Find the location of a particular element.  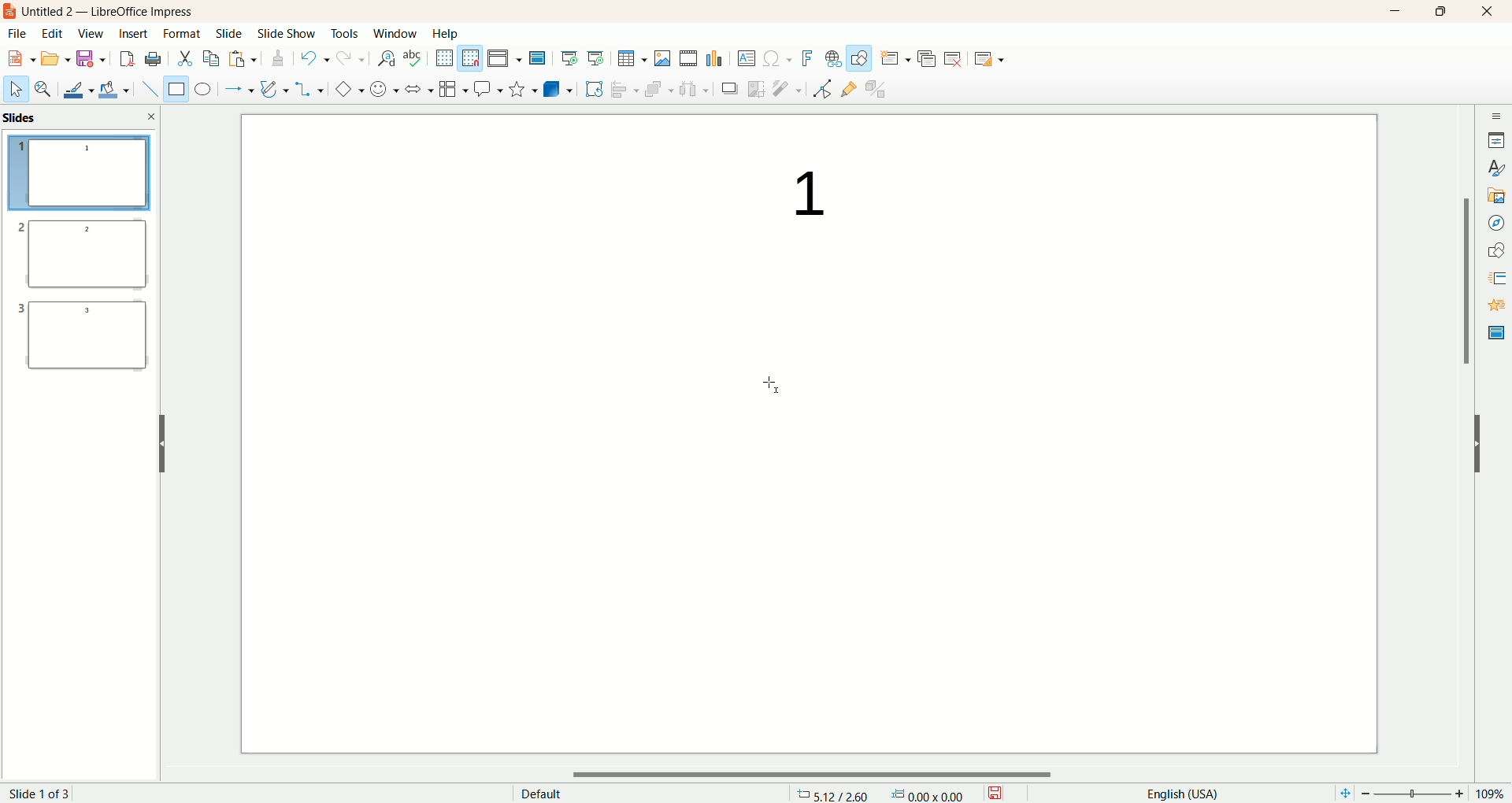

view is located at coordinates (88, 35).